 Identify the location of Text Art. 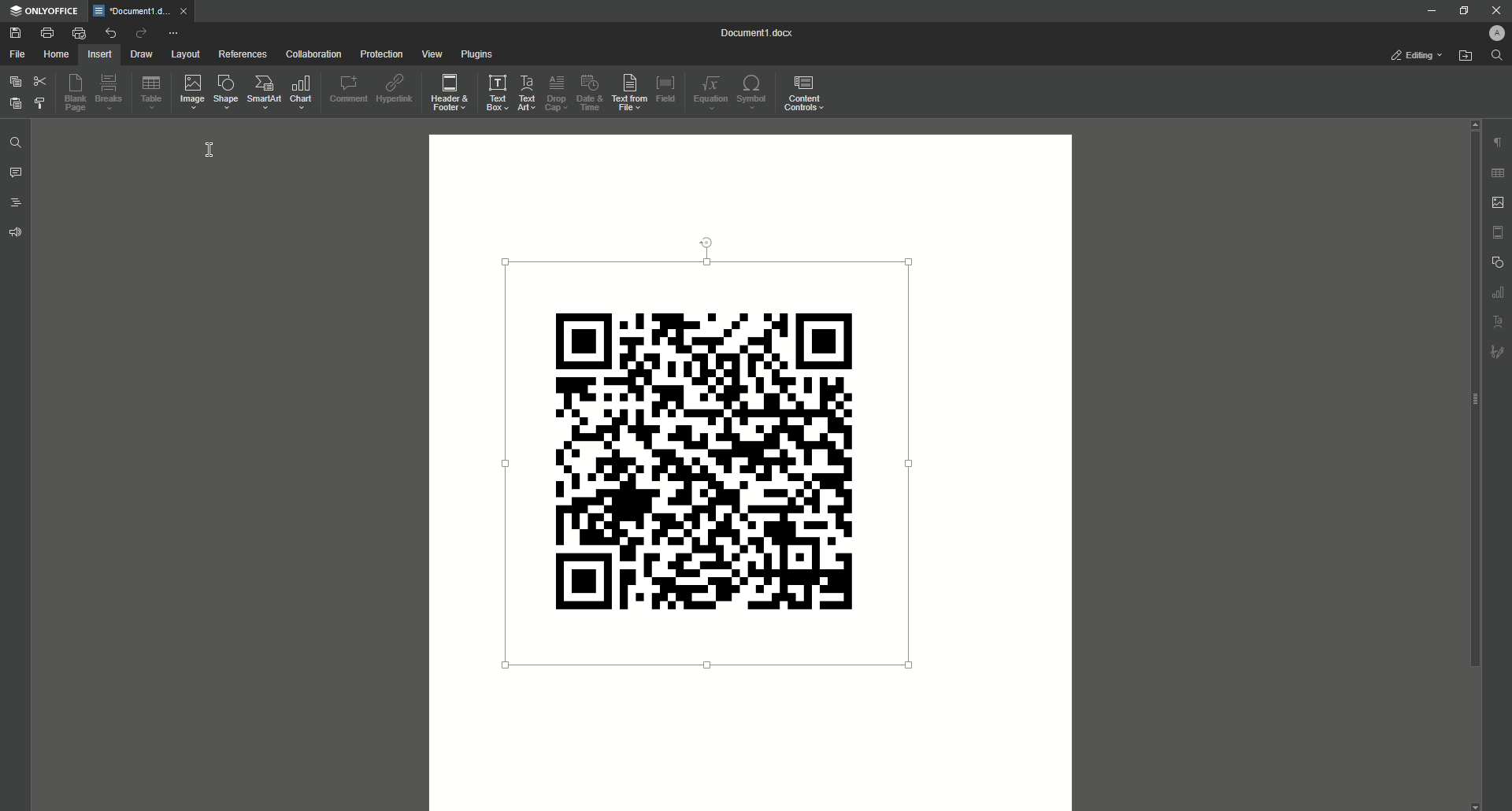
(522, 91).